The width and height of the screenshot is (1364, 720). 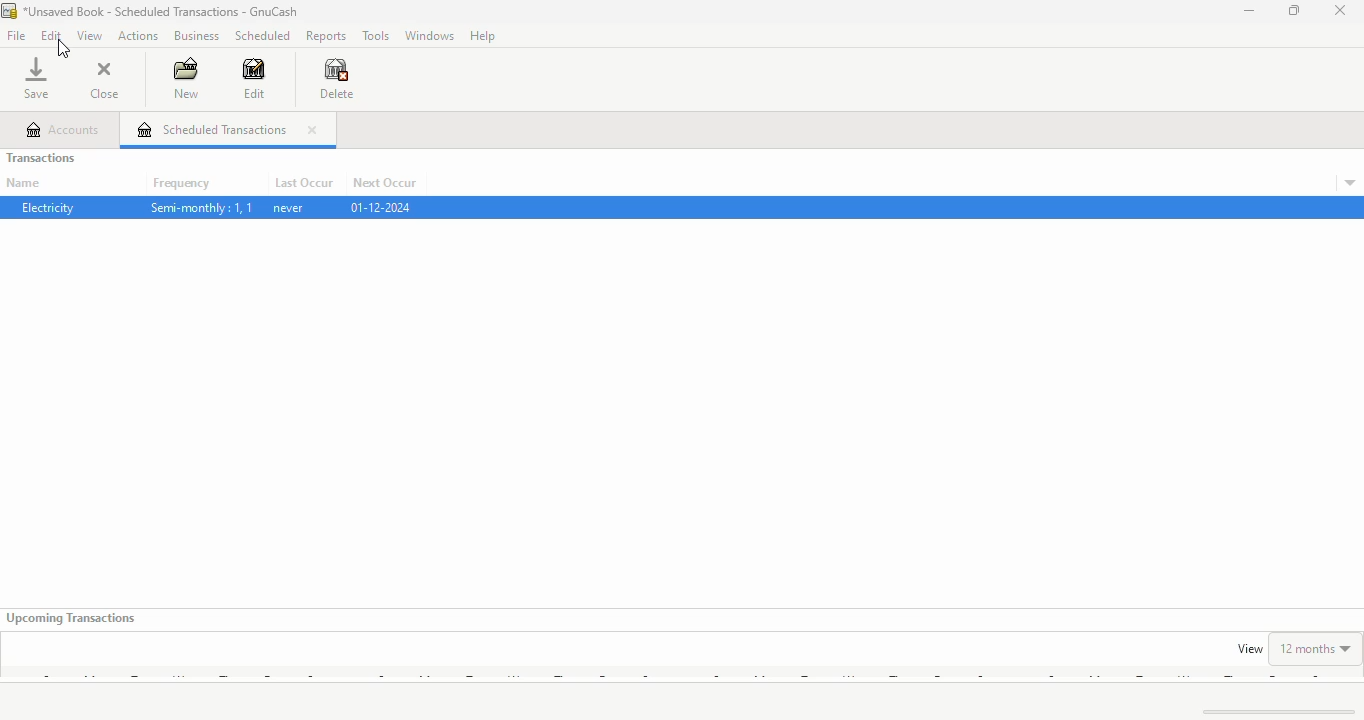 What do you see at coordinates (17, 35) in the screenshot?
I see `file` at bounding box center [17, 35].